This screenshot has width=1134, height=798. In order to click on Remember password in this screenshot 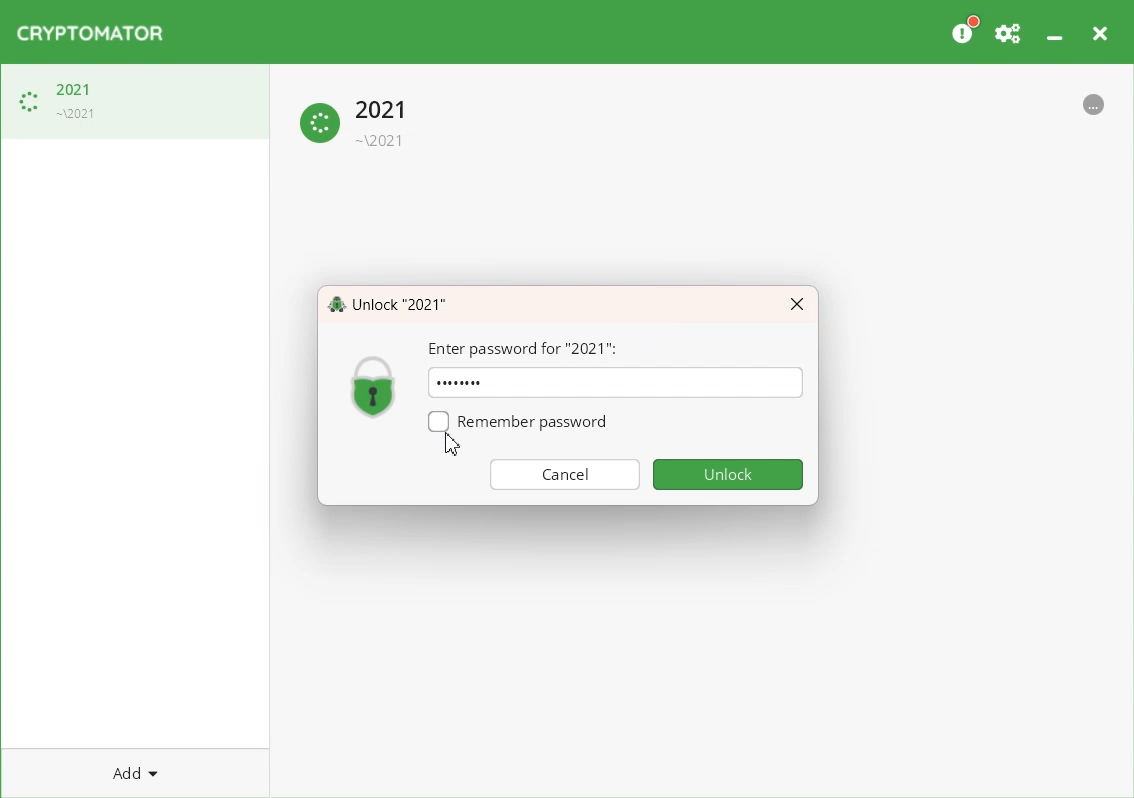, I will do `click(517, 422)`.